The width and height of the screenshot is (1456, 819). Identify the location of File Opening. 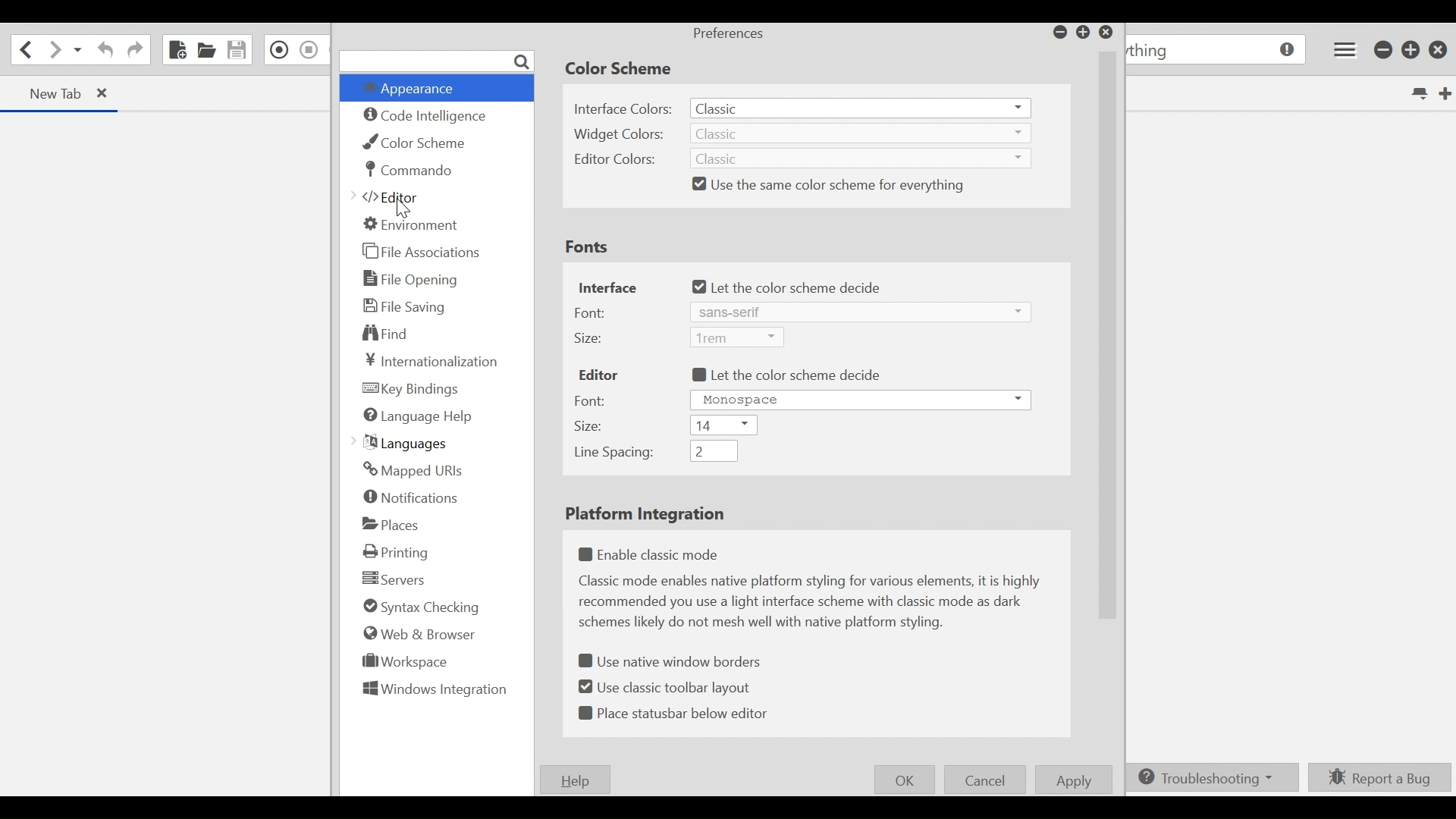
(408, 280).